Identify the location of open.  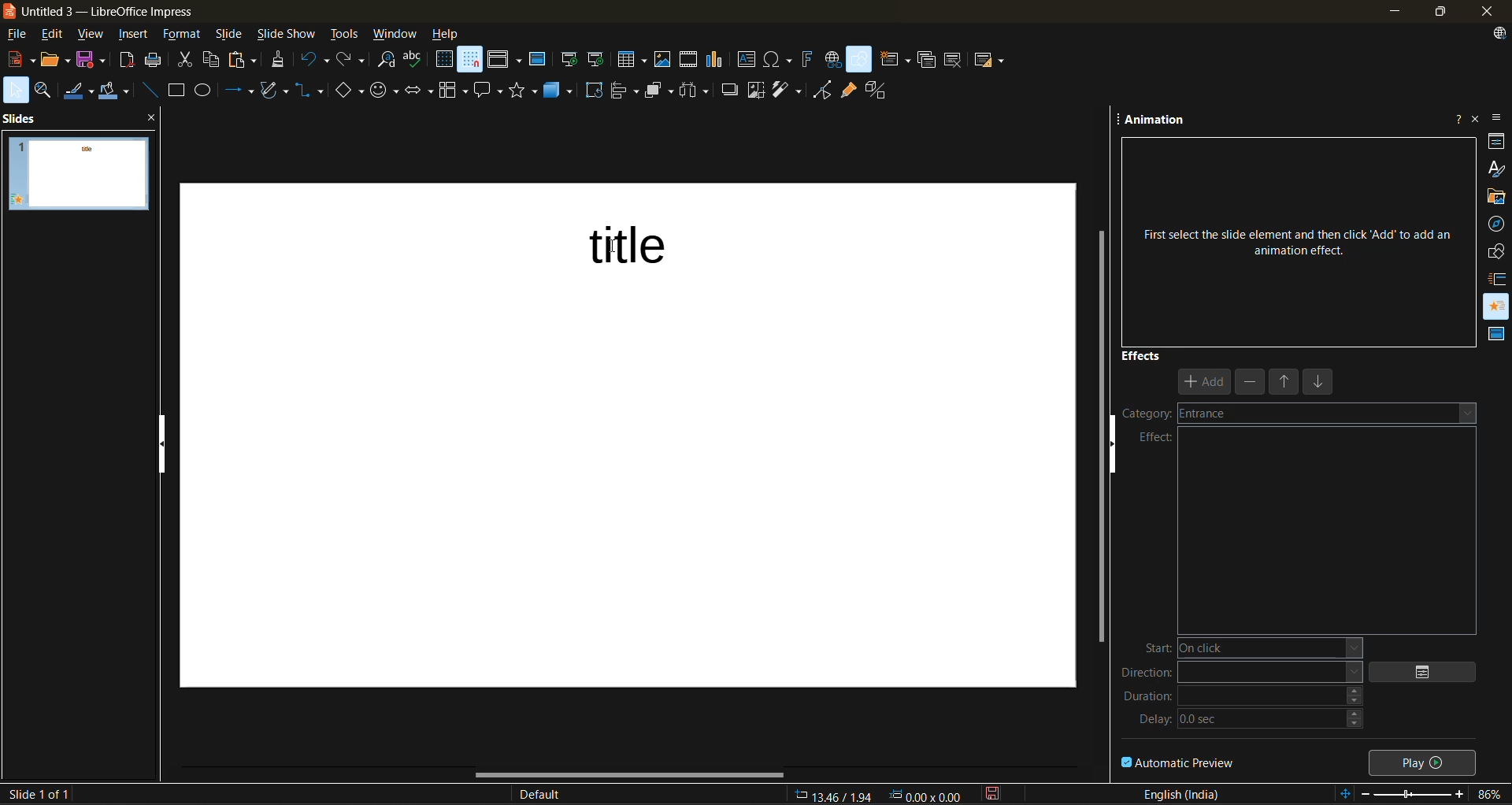
(57, 59).